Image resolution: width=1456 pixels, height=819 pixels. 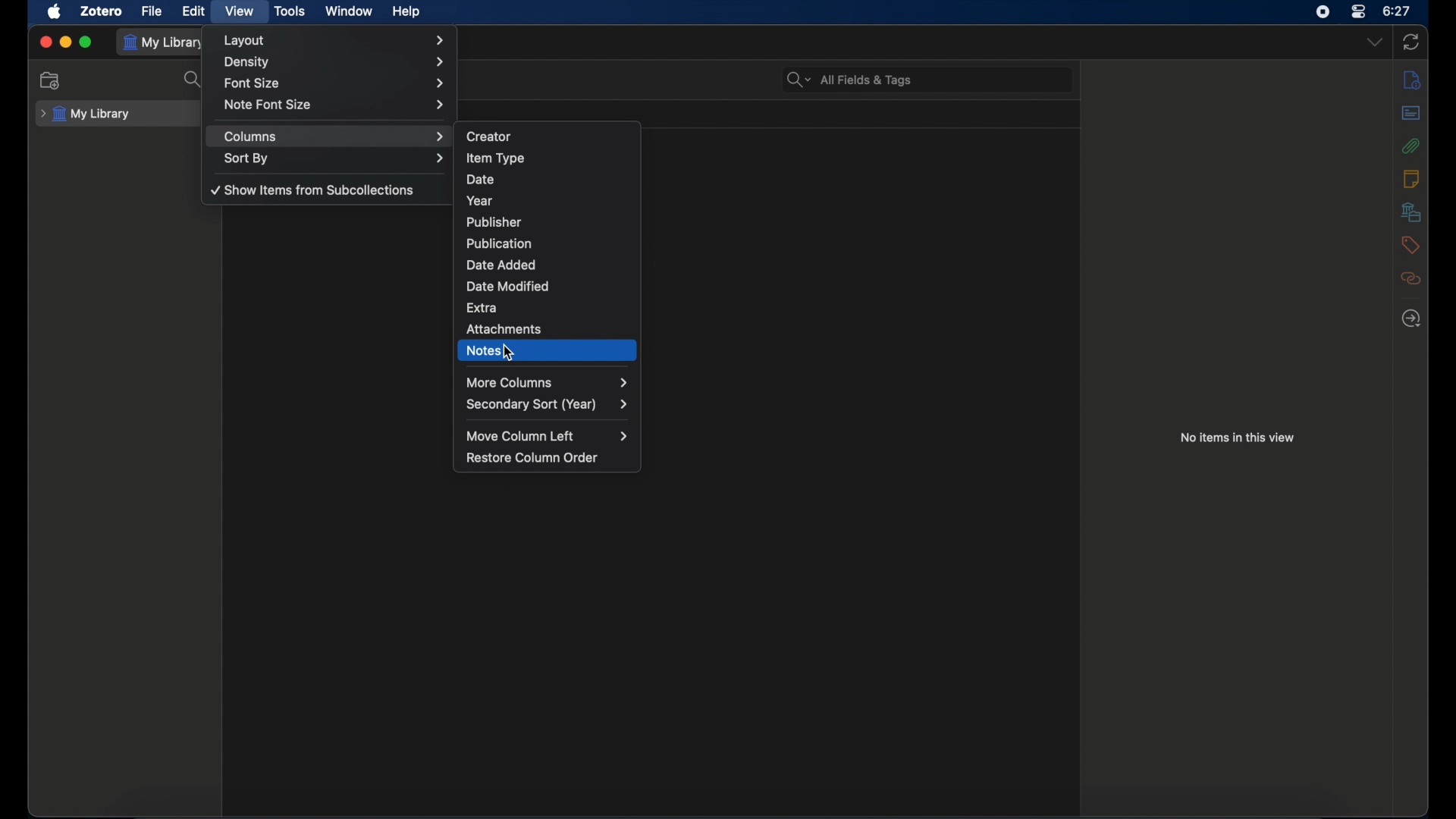 I want to click on view, so click(x=240, y=10).